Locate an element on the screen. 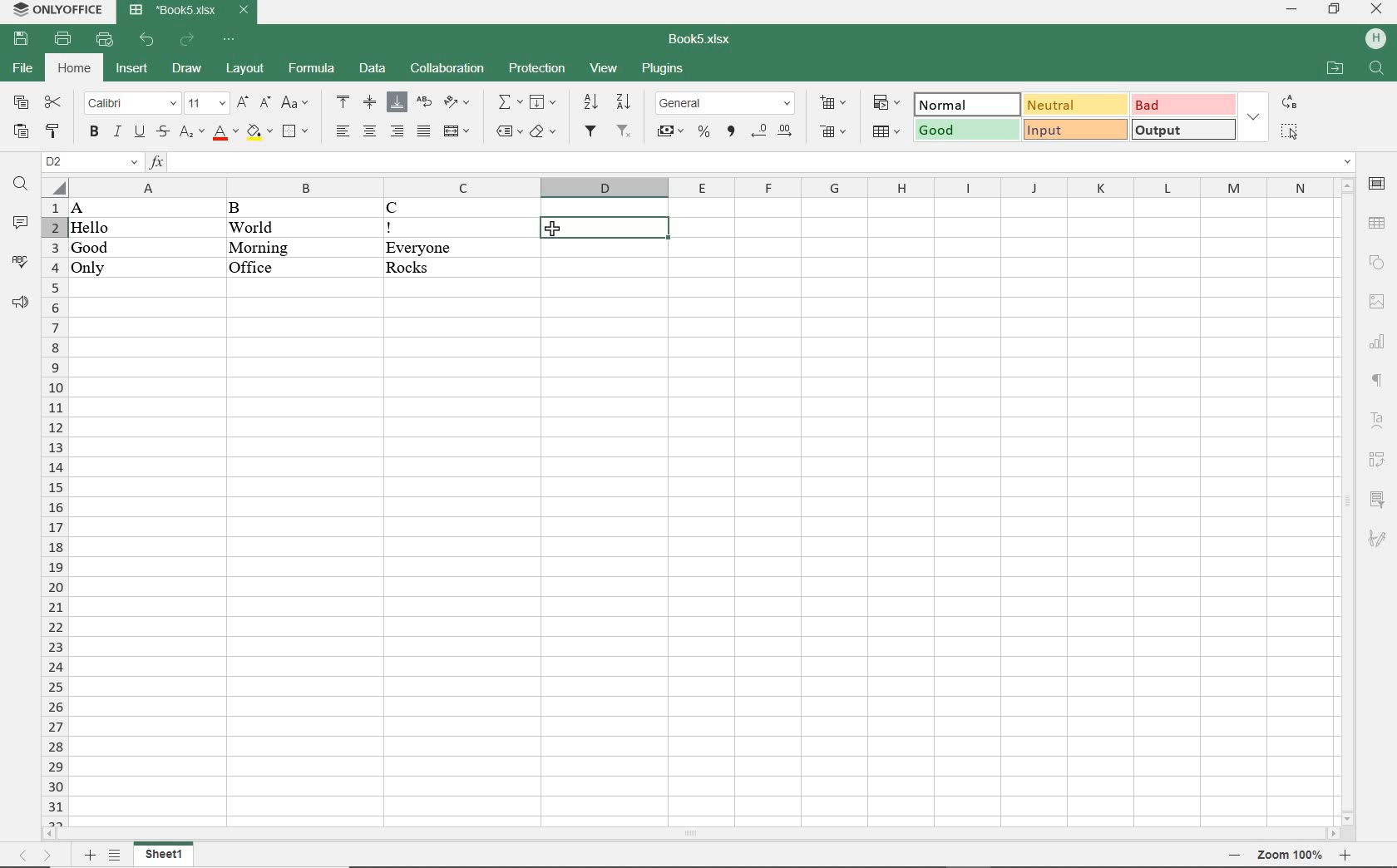  Morning is located at coordinates (281, 247).